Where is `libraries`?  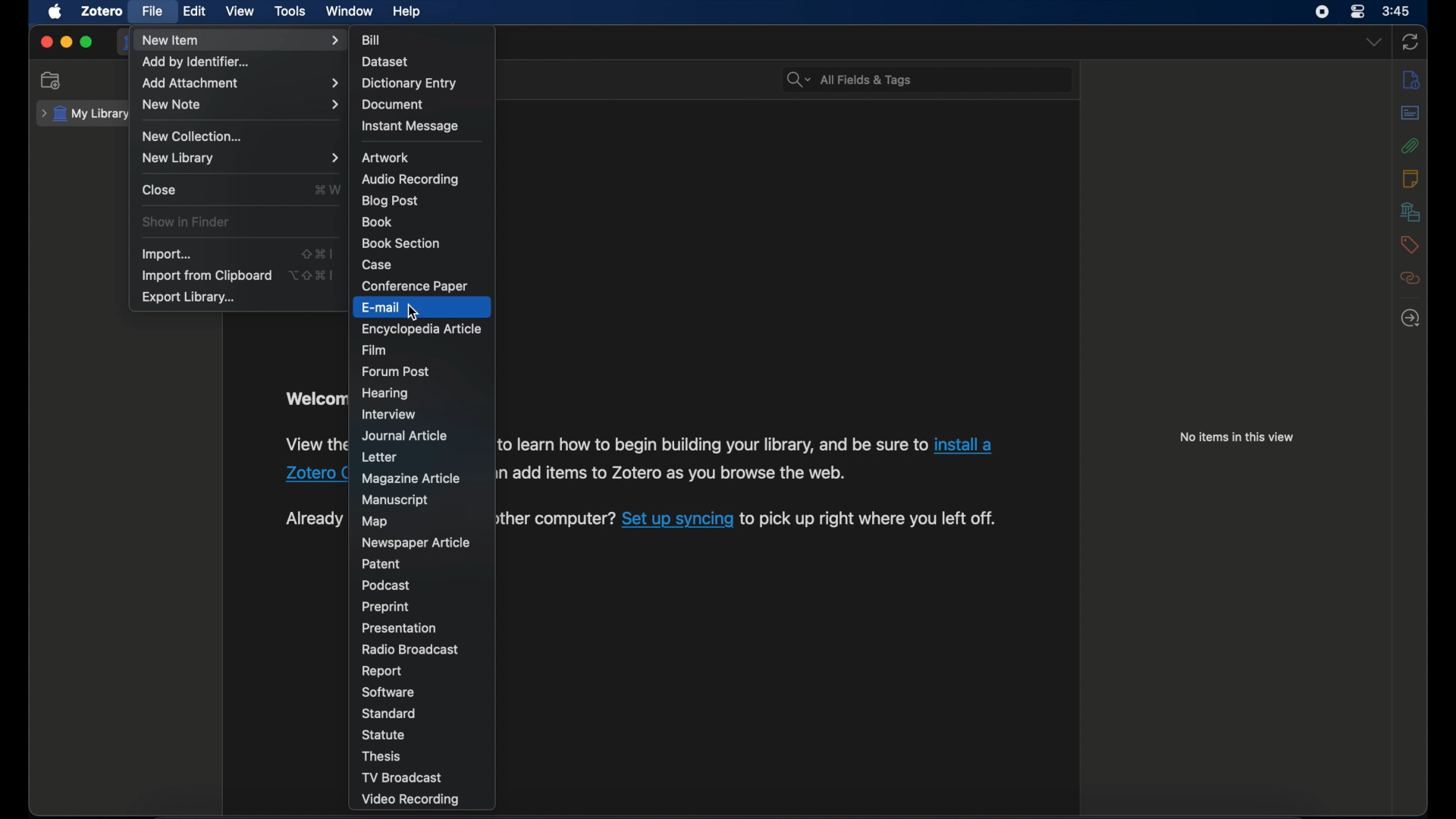
libraries is located at coordinates (1409, 212).